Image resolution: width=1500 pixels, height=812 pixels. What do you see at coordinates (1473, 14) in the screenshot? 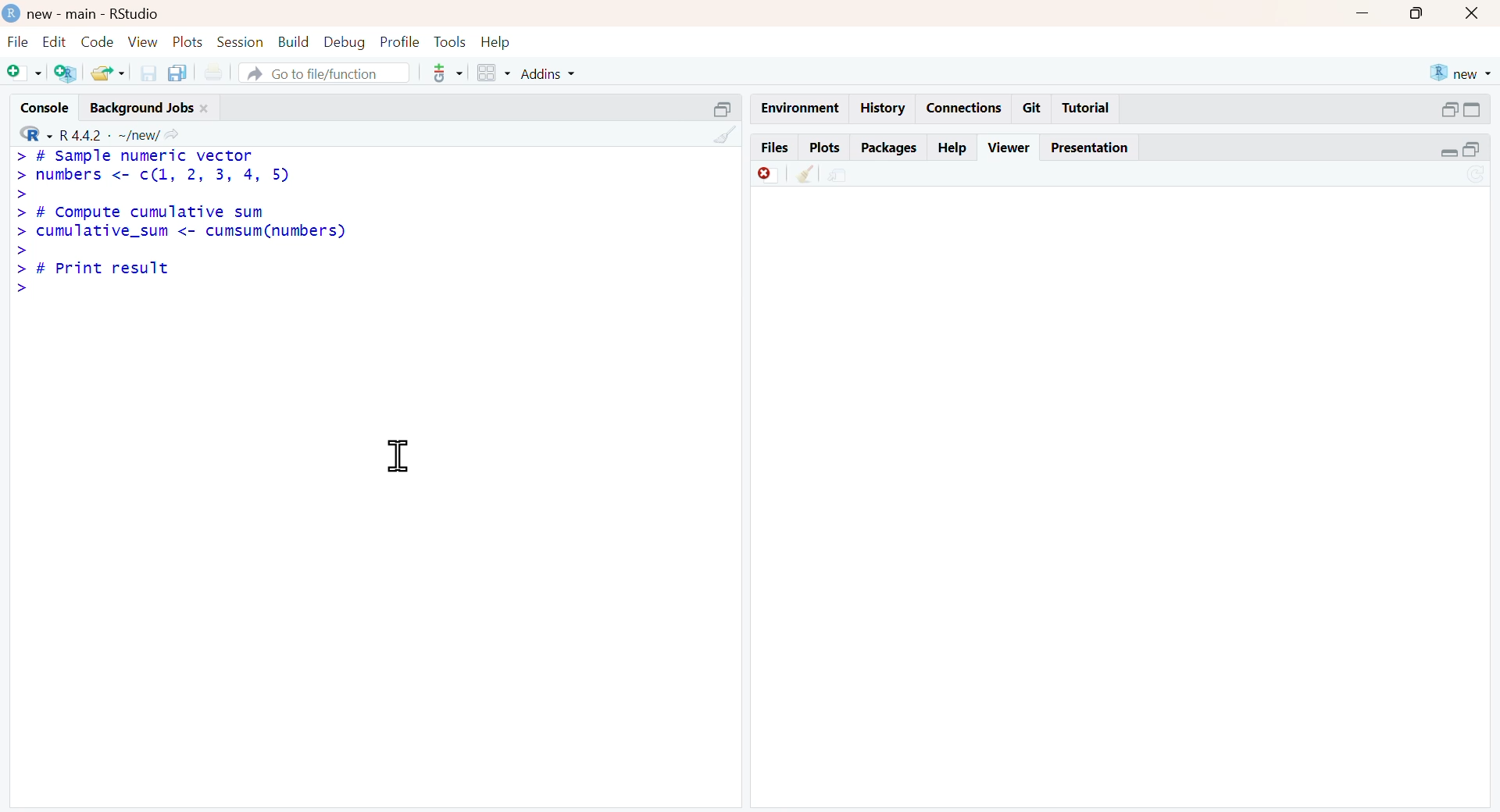
I see `close` at bounding box center [1473, 14].